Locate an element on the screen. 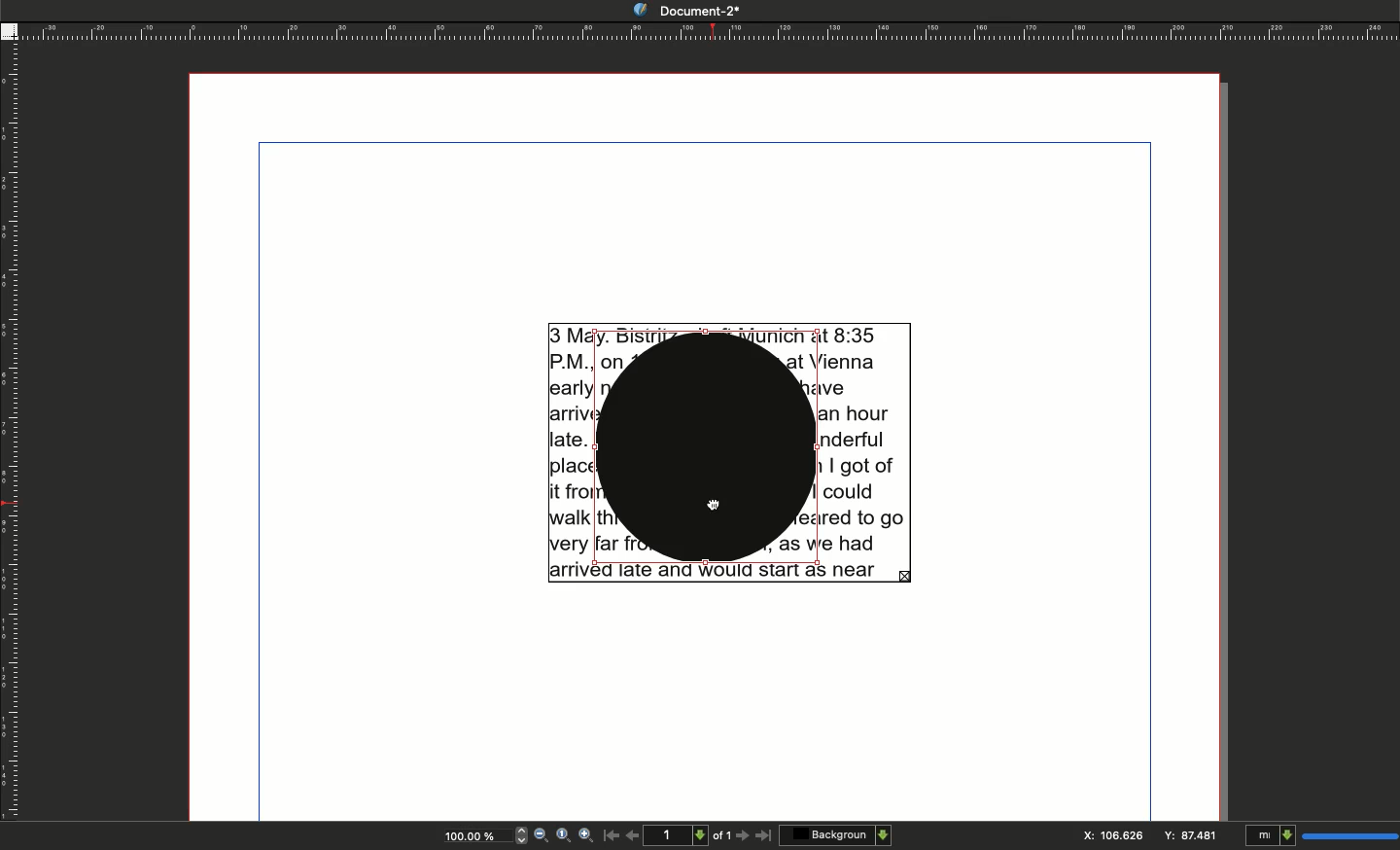 The height and width of the screenshot is (850, 1400). Y: 87.481 is located at coordinates (1189, 835).